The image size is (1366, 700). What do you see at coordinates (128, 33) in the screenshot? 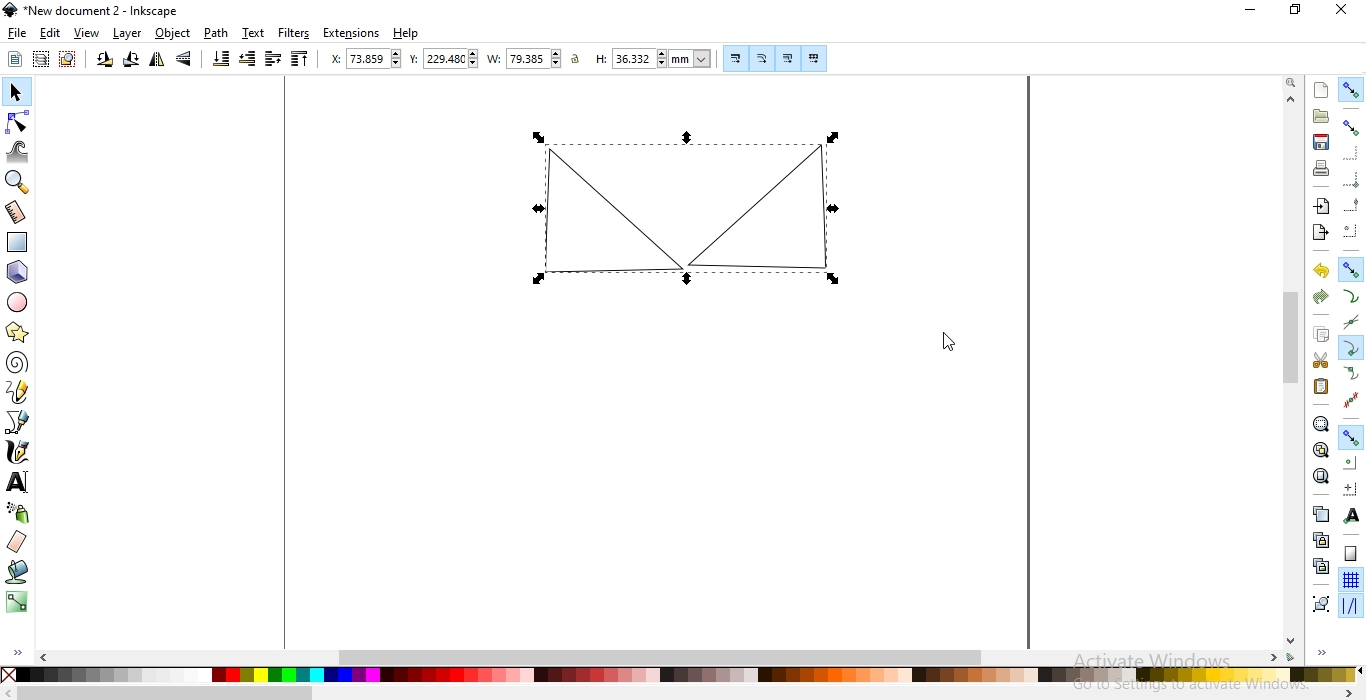
I see `layer` at bounding box center [128, 33].